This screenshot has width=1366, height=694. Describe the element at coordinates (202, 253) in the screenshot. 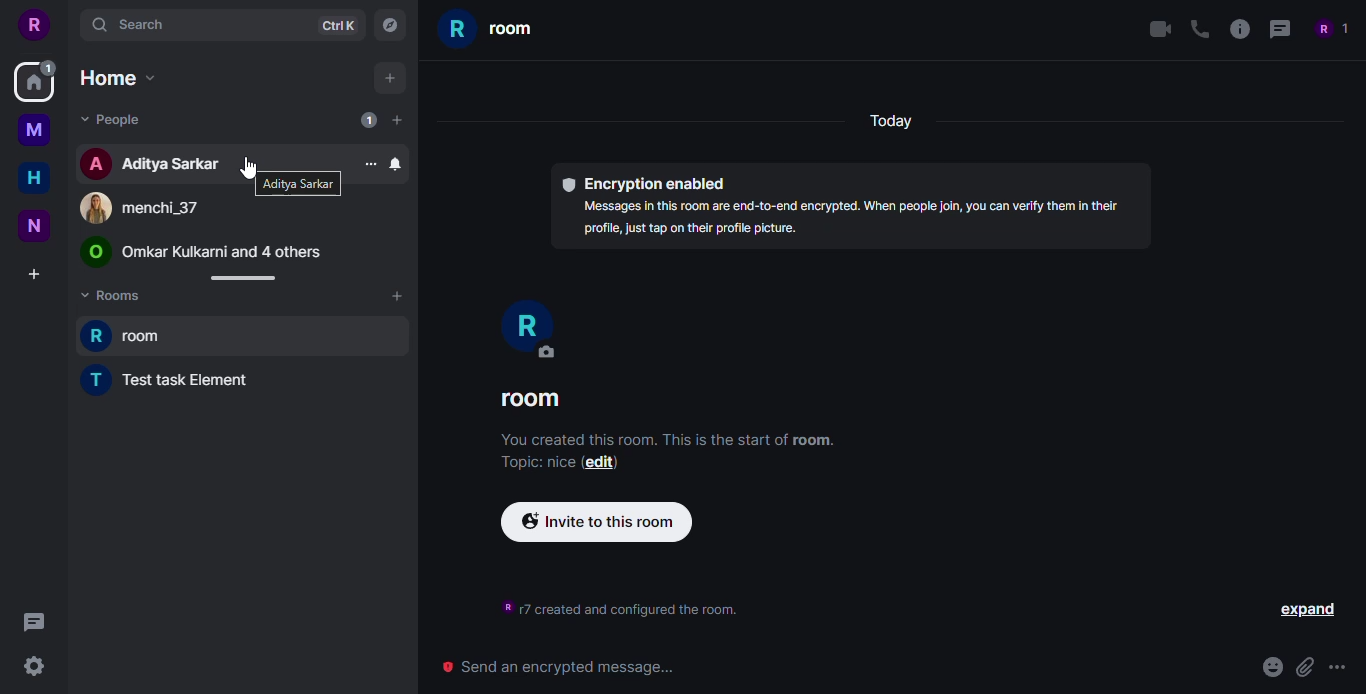

I see `omkar kulkarni and 4 others` at that location.